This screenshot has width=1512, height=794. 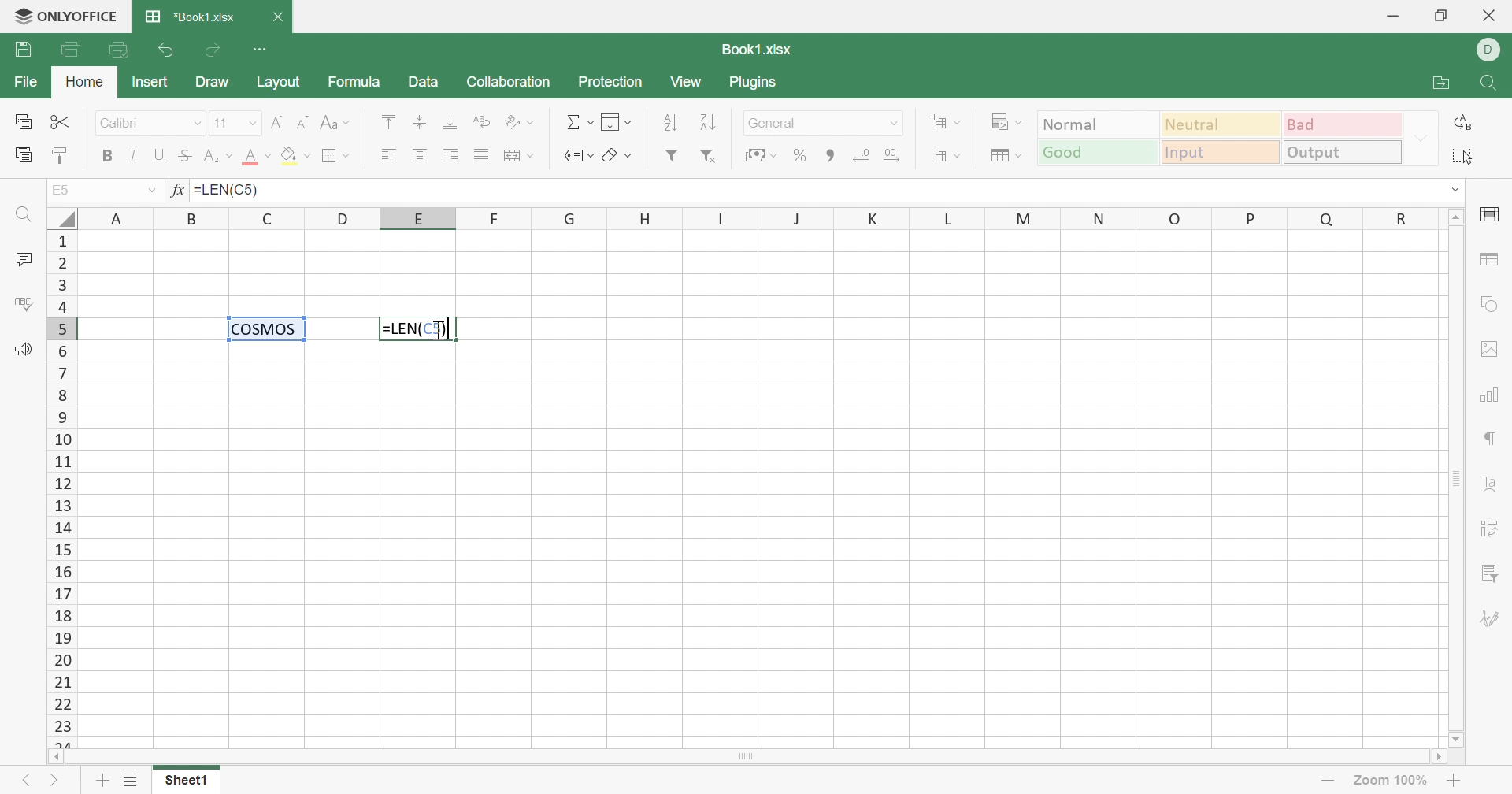 What do you see at coordinates (1097, 153) in the screenshot?
I see `Good` at bounding box center [1097, 153].